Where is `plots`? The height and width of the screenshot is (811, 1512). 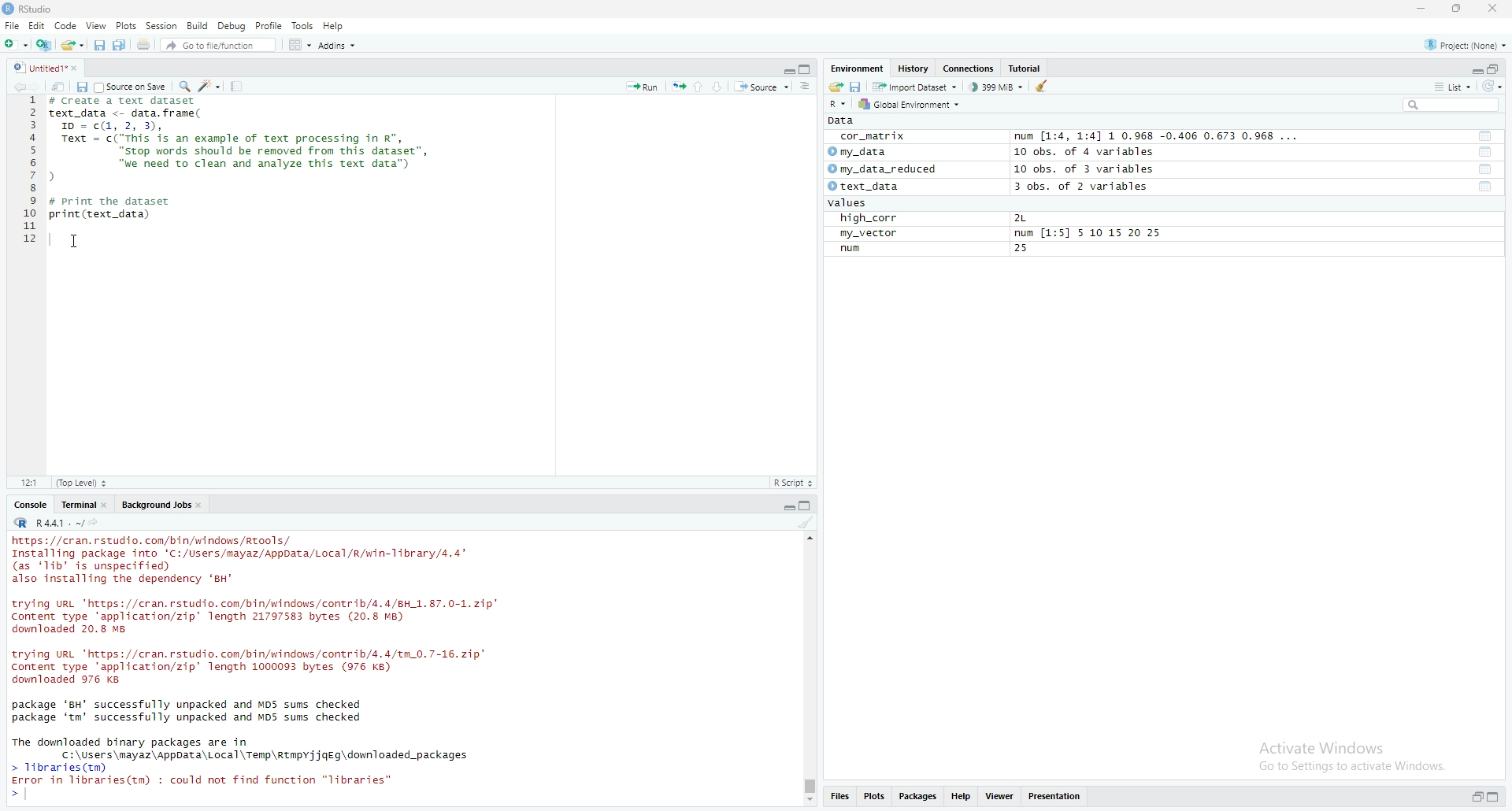
plots is located at coordinates (126, 27).